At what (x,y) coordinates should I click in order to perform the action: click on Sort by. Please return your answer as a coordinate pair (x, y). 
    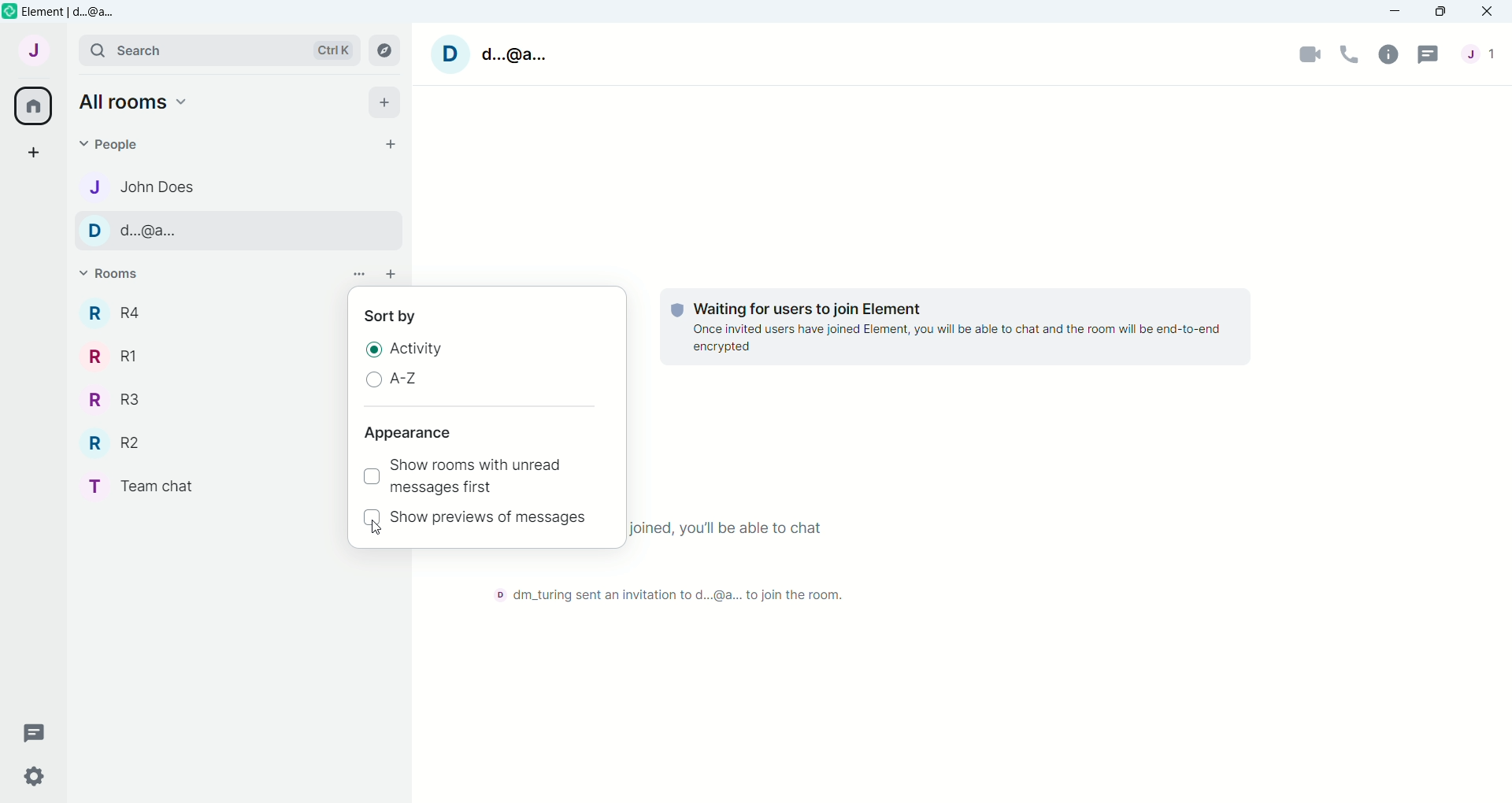
    Looking at the image, I should click on (398, 316).